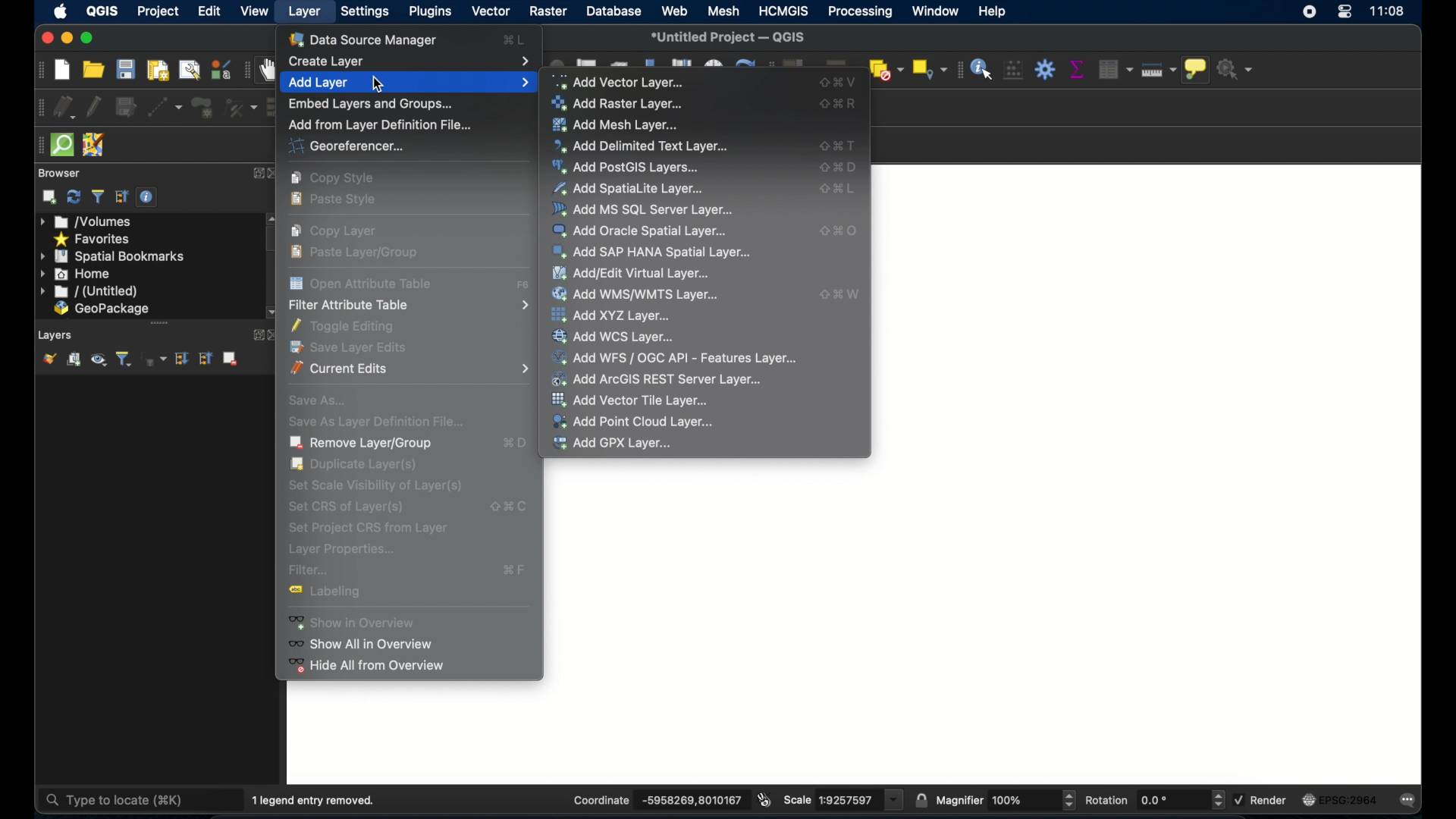  I want to click on open project, so click(95, 69).